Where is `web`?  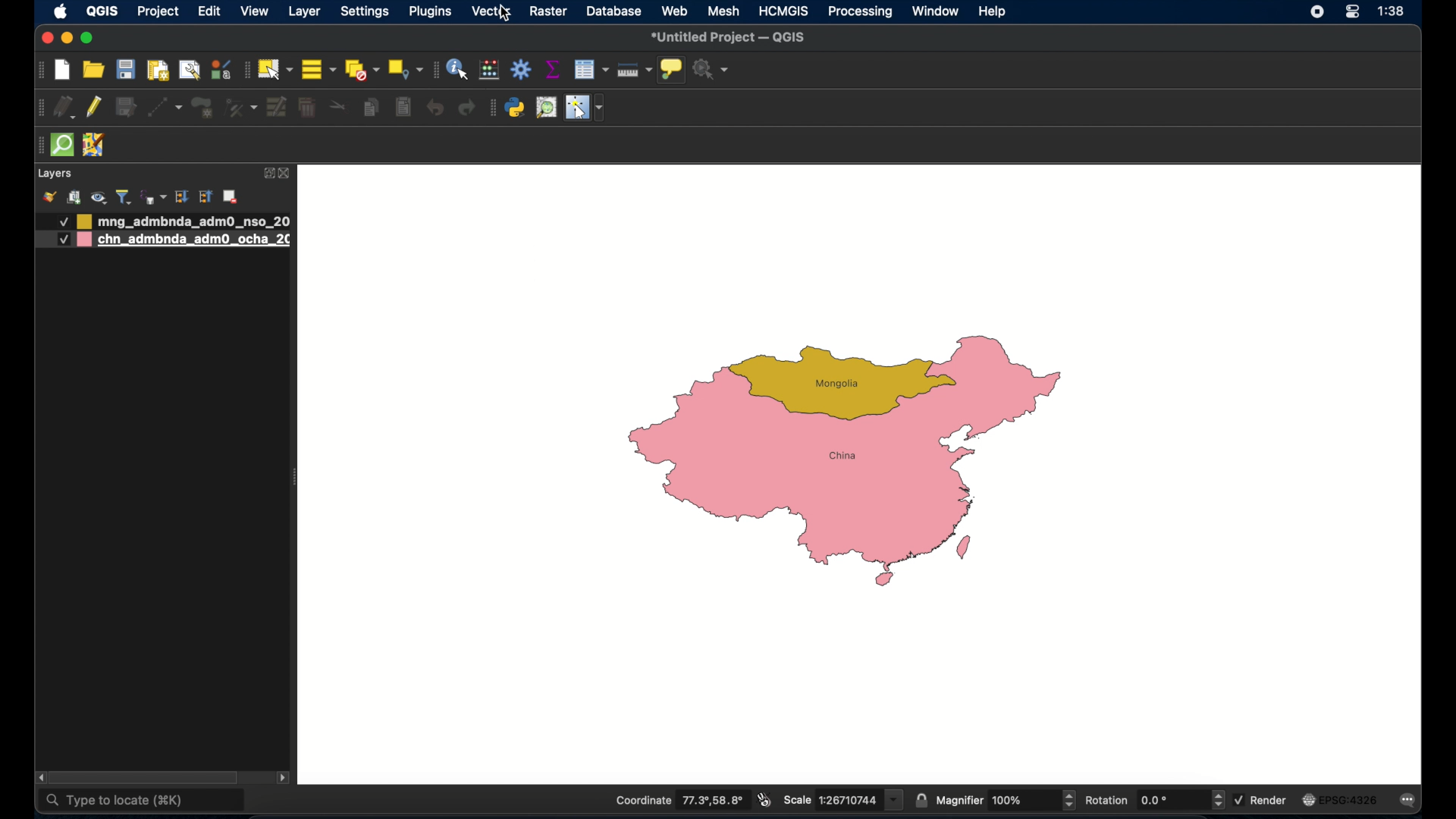
web is located at coordinates (675, 11).